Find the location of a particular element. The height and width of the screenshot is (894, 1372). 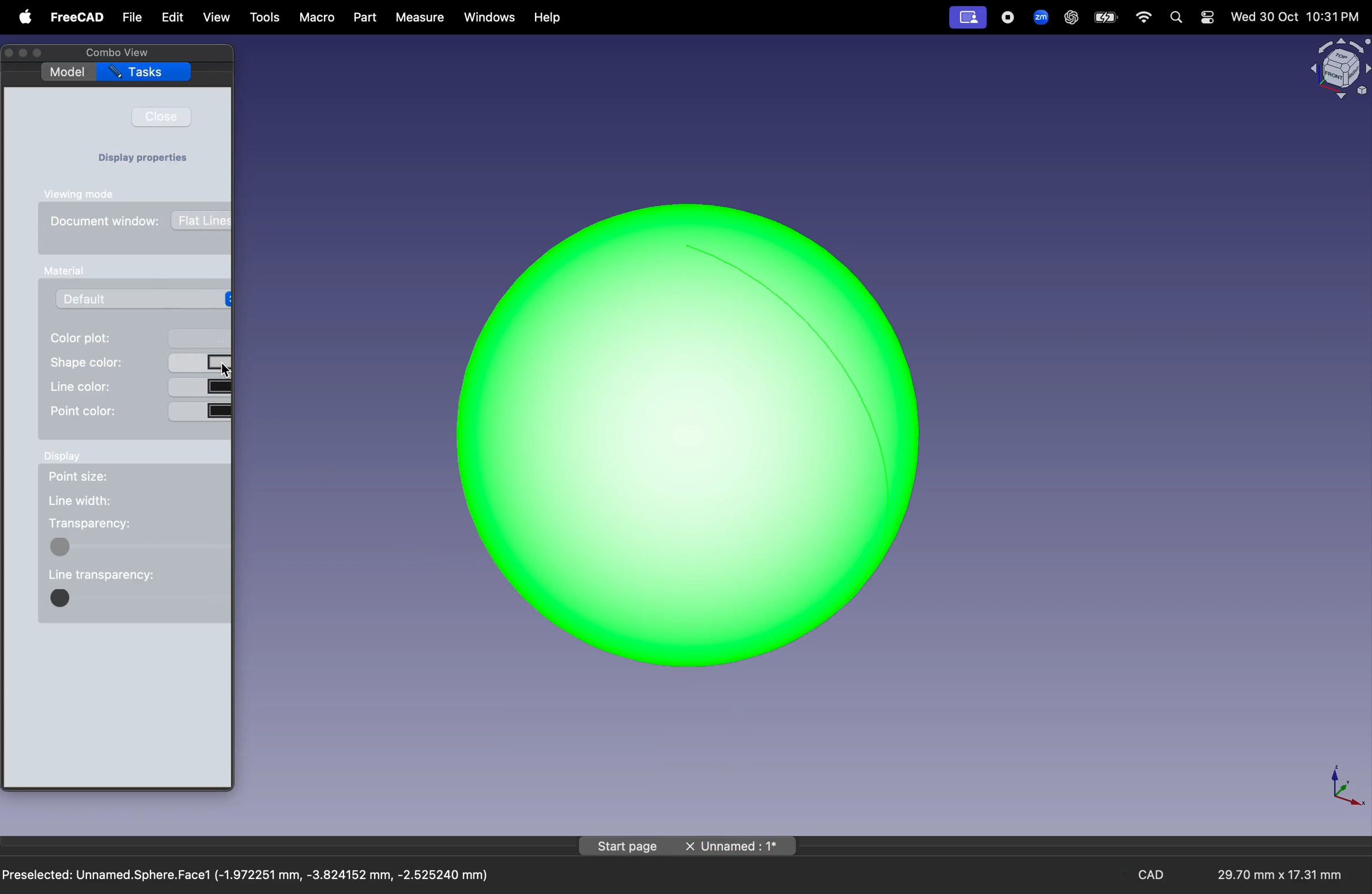

settings is located at coordinates (1207, 17).